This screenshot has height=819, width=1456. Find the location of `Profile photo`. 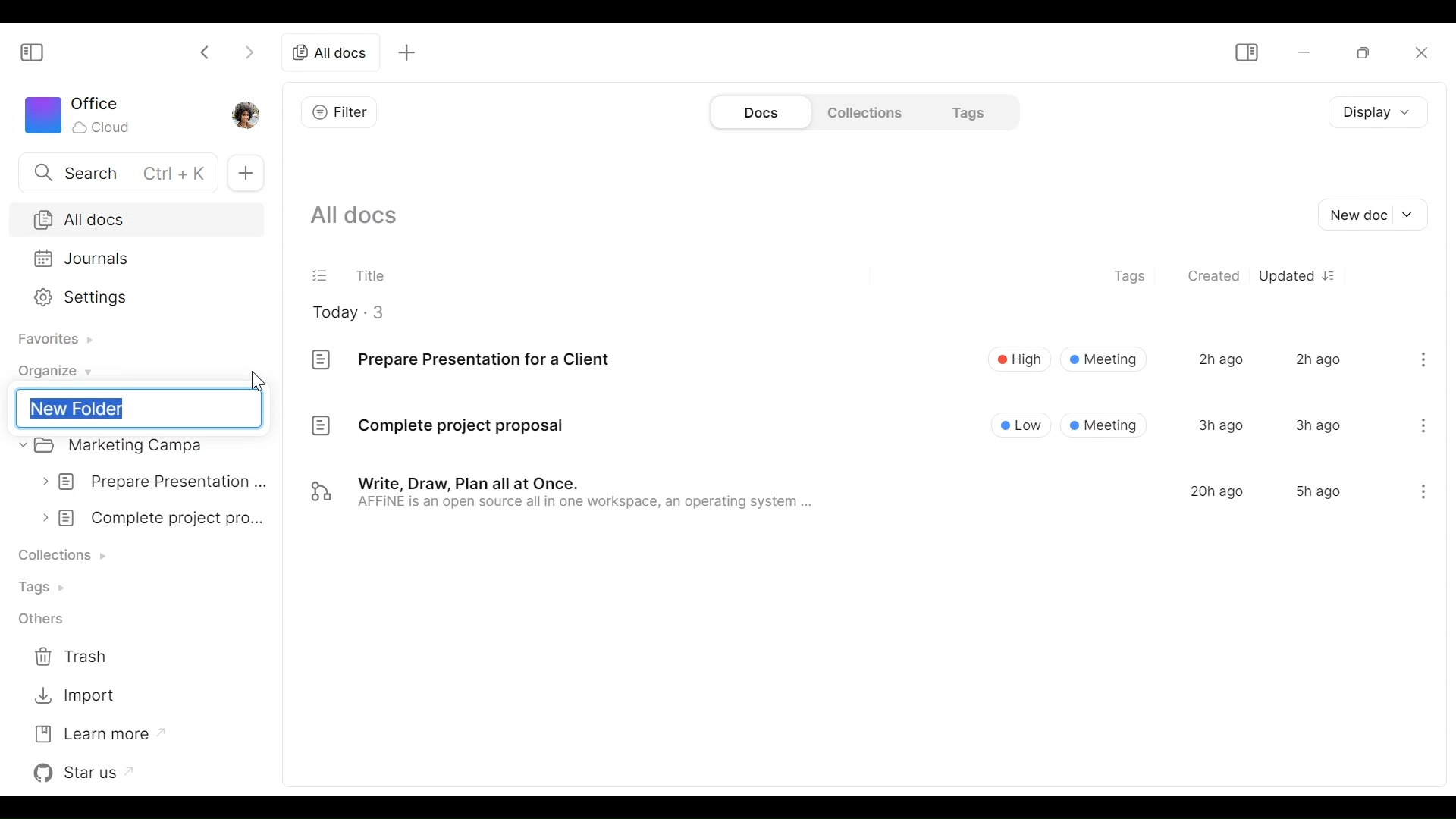

Profile photo is located at coordinates (251, 114).